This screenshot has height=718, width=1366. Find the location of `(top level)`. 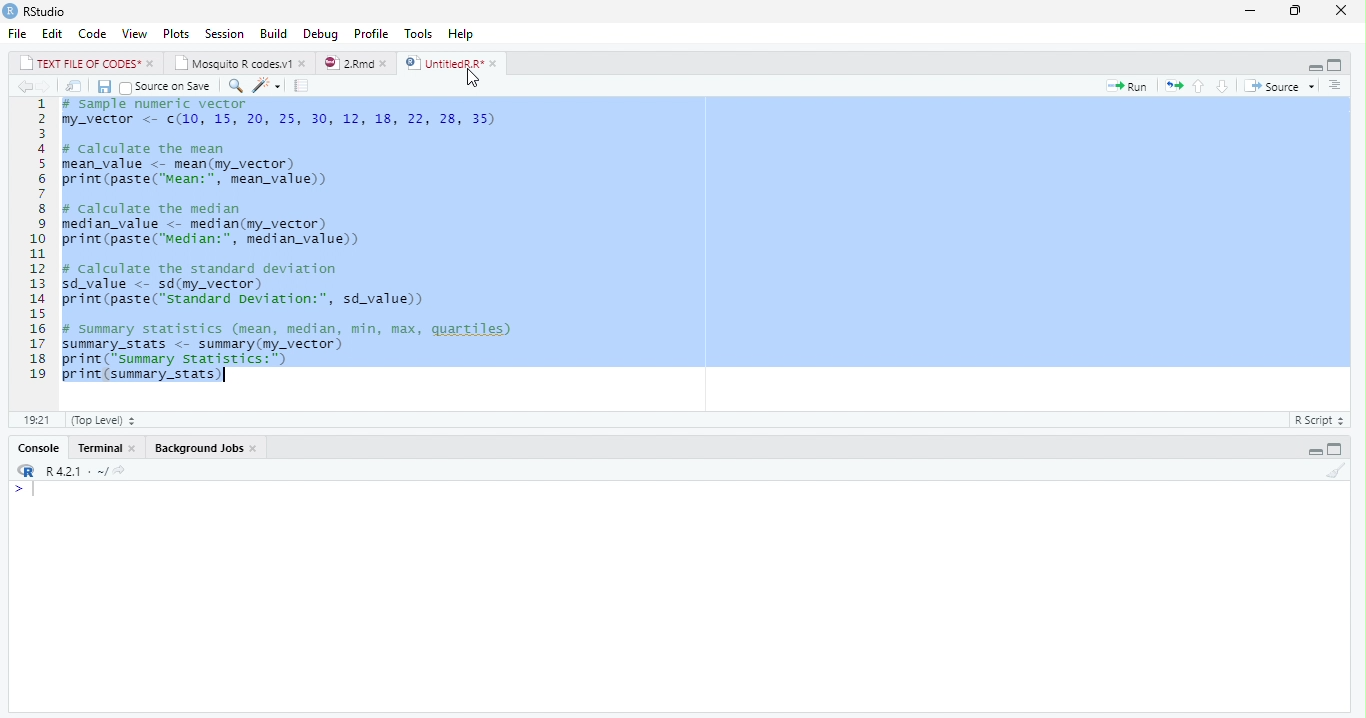

(top level) is located at coordinates (103, 420).